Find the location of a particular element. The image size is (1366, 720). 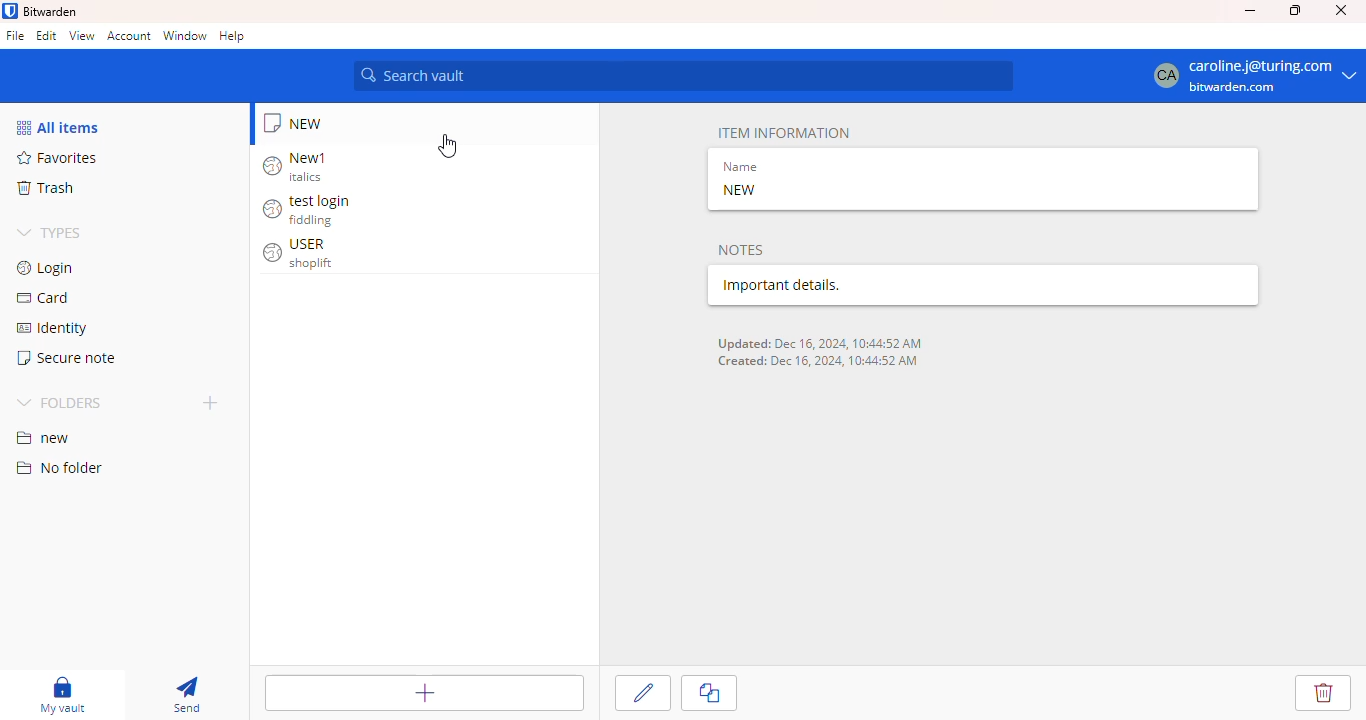

cursor is located at coordinates (447, 146).